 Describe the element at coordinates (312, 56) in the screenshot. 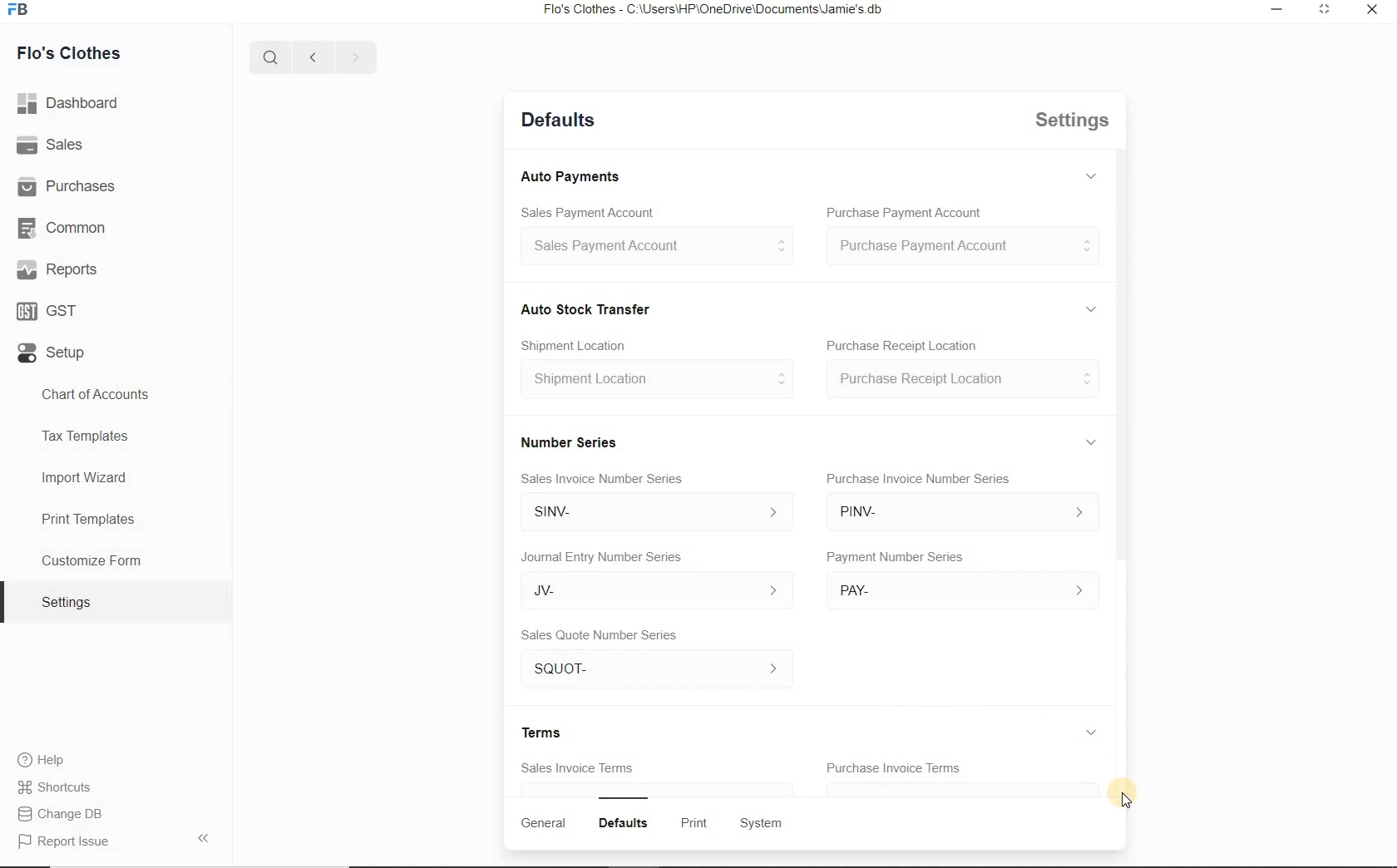

I see `Back` at that location.